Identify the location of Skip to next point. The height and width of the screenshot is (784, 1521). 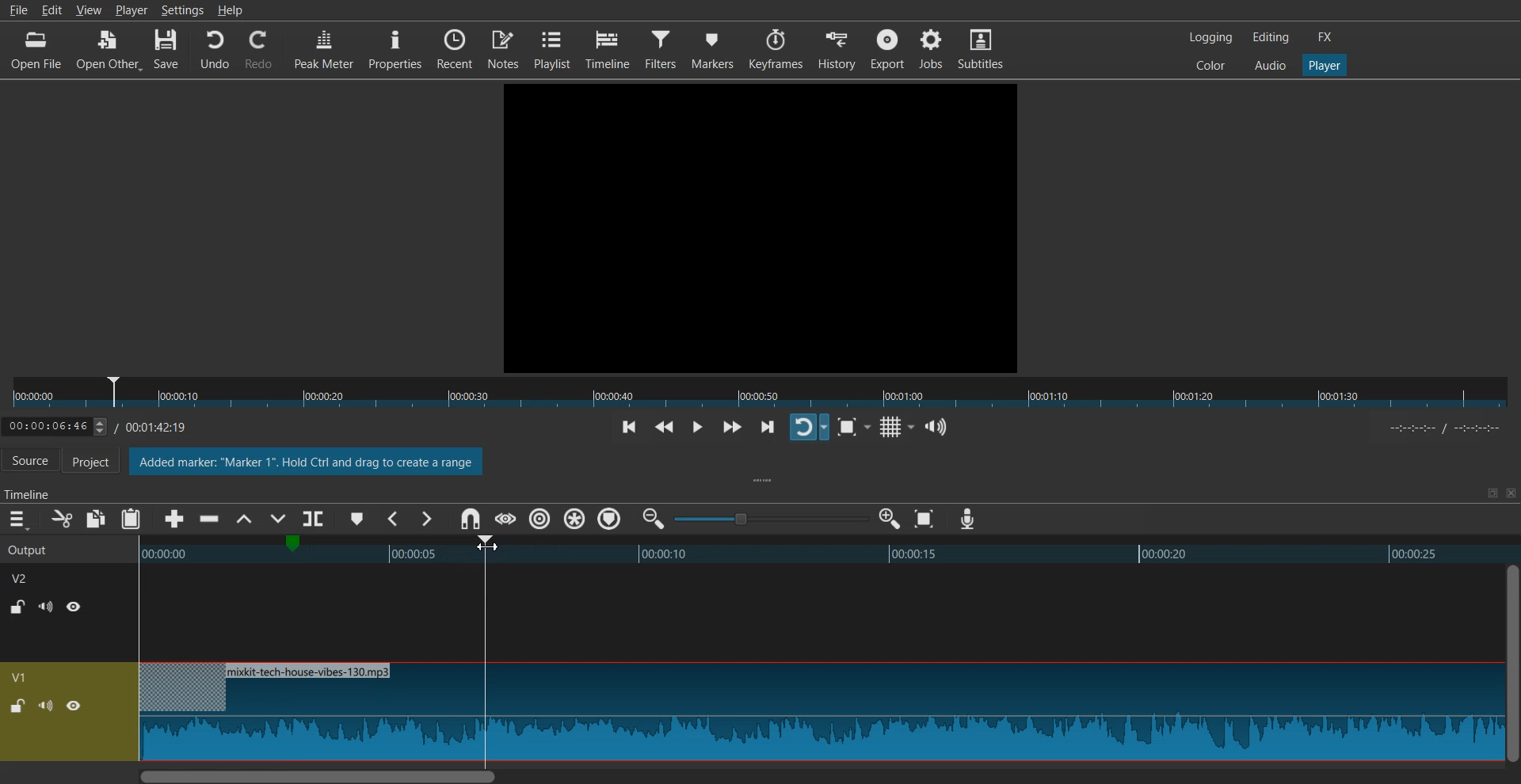
(769, 428).